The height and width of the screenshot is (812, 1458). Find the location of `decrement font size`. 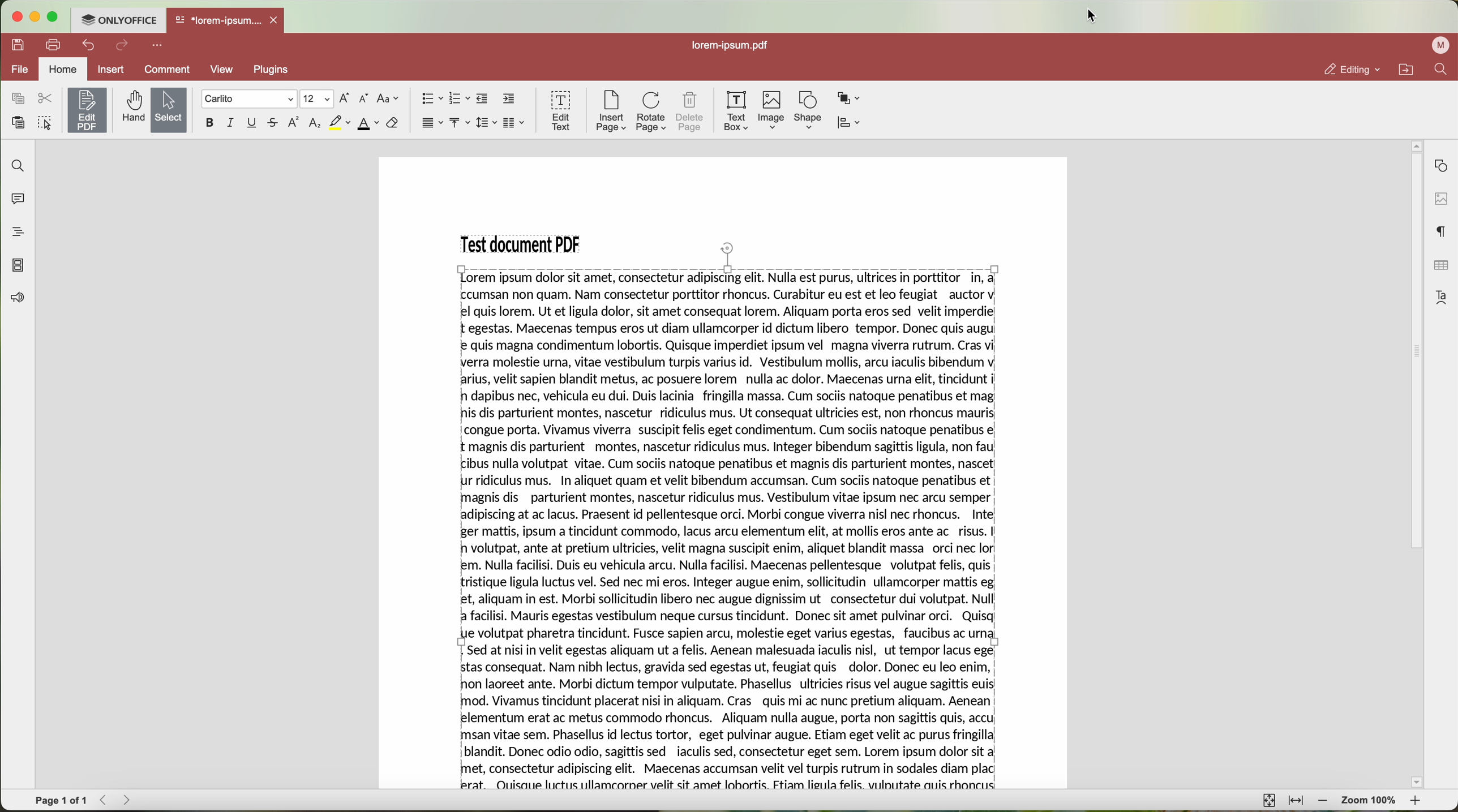

decrement font size is located at coordinates (365, 99).